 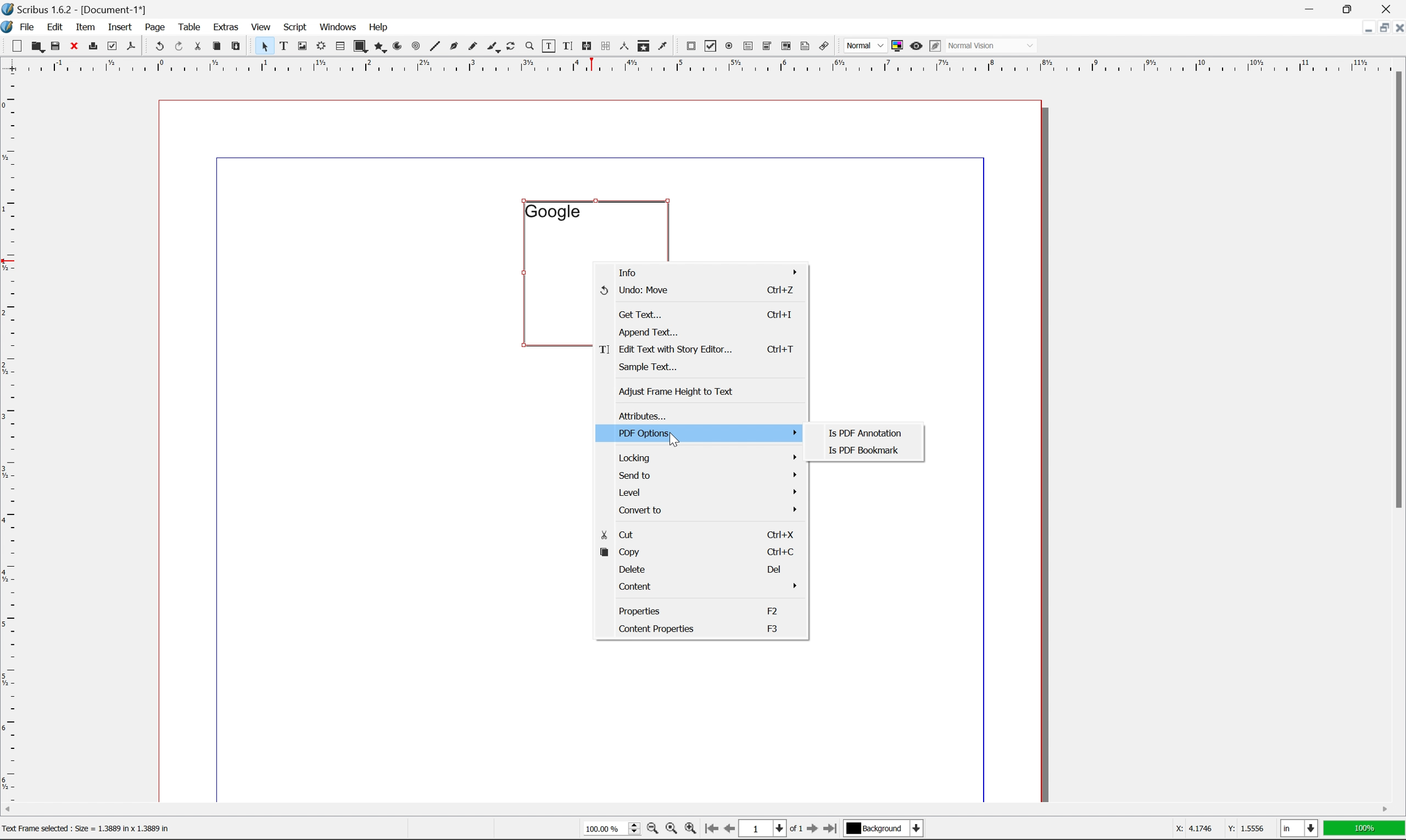 I want to click on ctrl+t, so click(x=781, y=349).